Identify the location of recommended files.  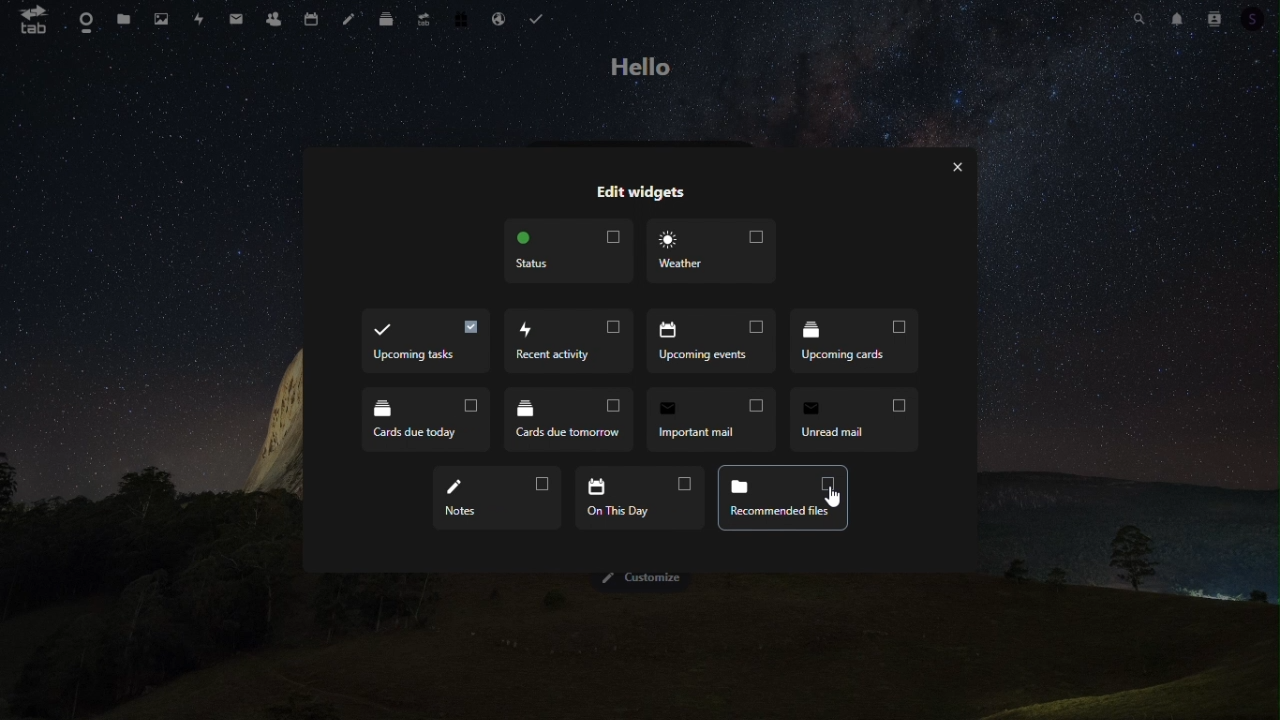
(638, 497).